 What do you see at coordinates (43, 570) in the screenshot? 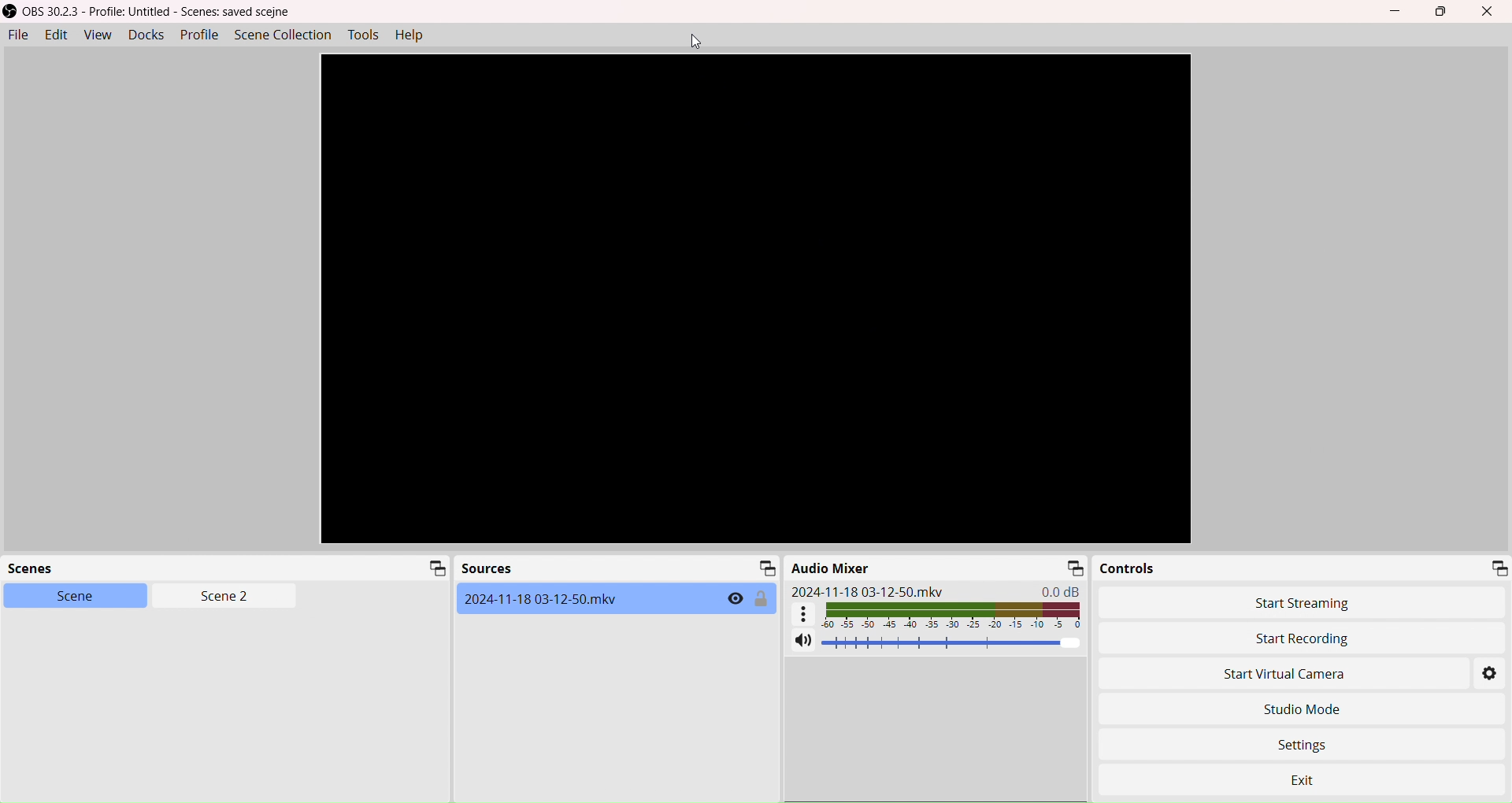
I see `Scenes` at bounding box center [43, 570].